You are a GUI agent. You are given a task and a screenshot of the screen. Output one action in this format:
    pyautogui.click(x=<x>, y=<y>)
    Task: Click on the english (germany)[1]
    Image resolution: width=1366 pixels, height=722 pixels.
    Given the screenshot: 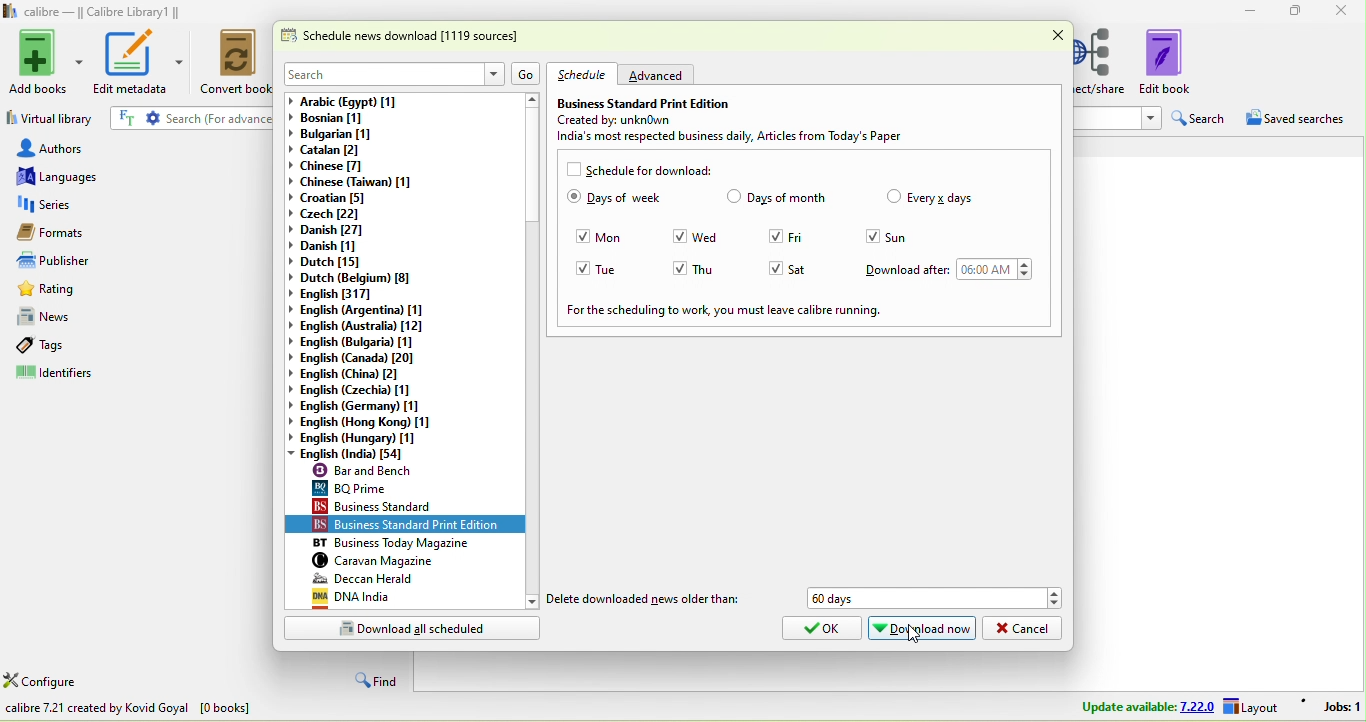 What is the action you would take?
    pyautogui.click(x=369, y=406)
    